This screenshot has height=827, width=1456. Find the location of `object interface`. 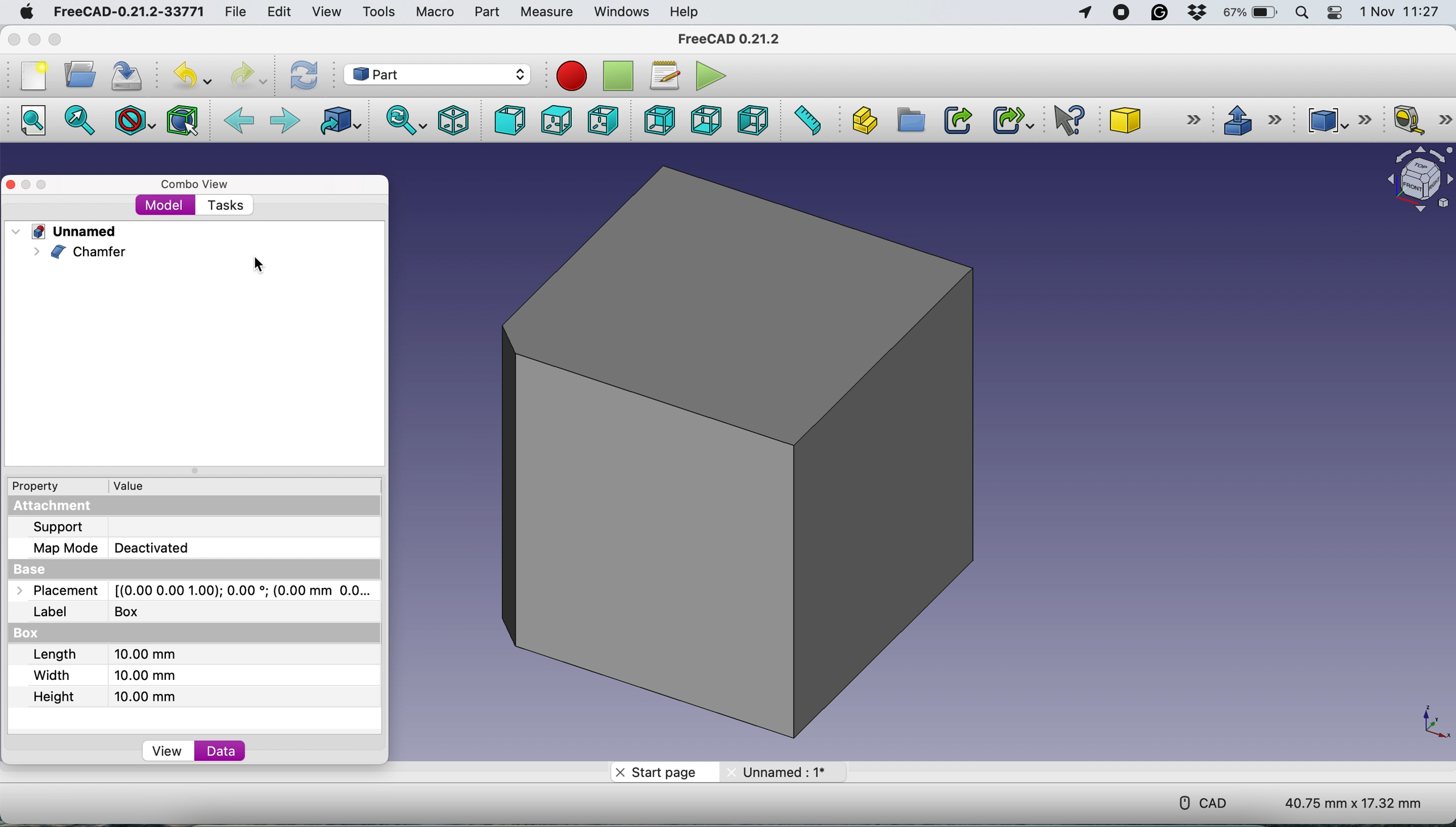

object interface is located at coordinates (1418, 181).